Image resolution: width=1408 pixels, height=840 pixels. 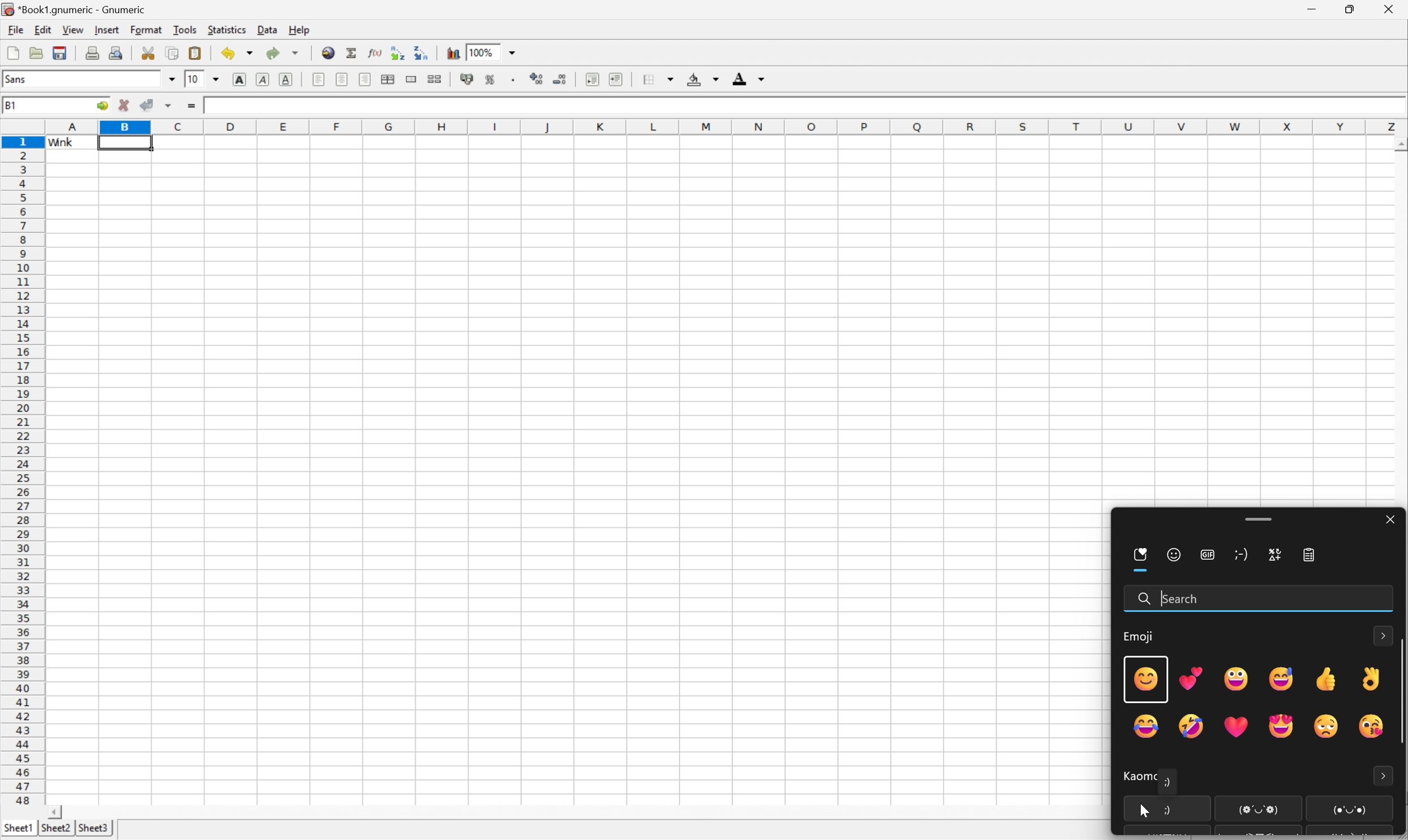 I want to click on cursor, so click(x=1141, y=812).